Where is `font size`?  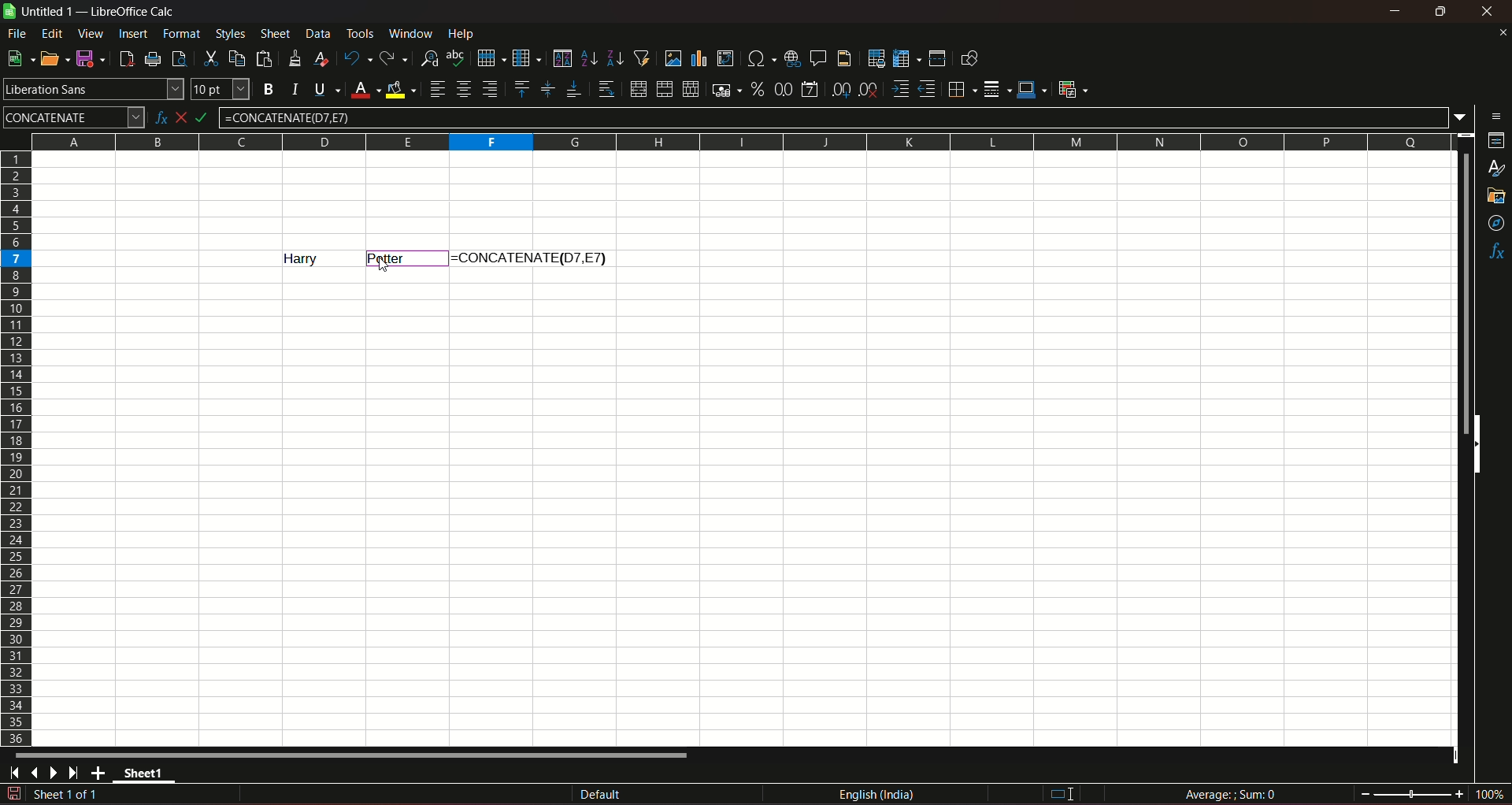 font size is located at coordinates (218, 90).